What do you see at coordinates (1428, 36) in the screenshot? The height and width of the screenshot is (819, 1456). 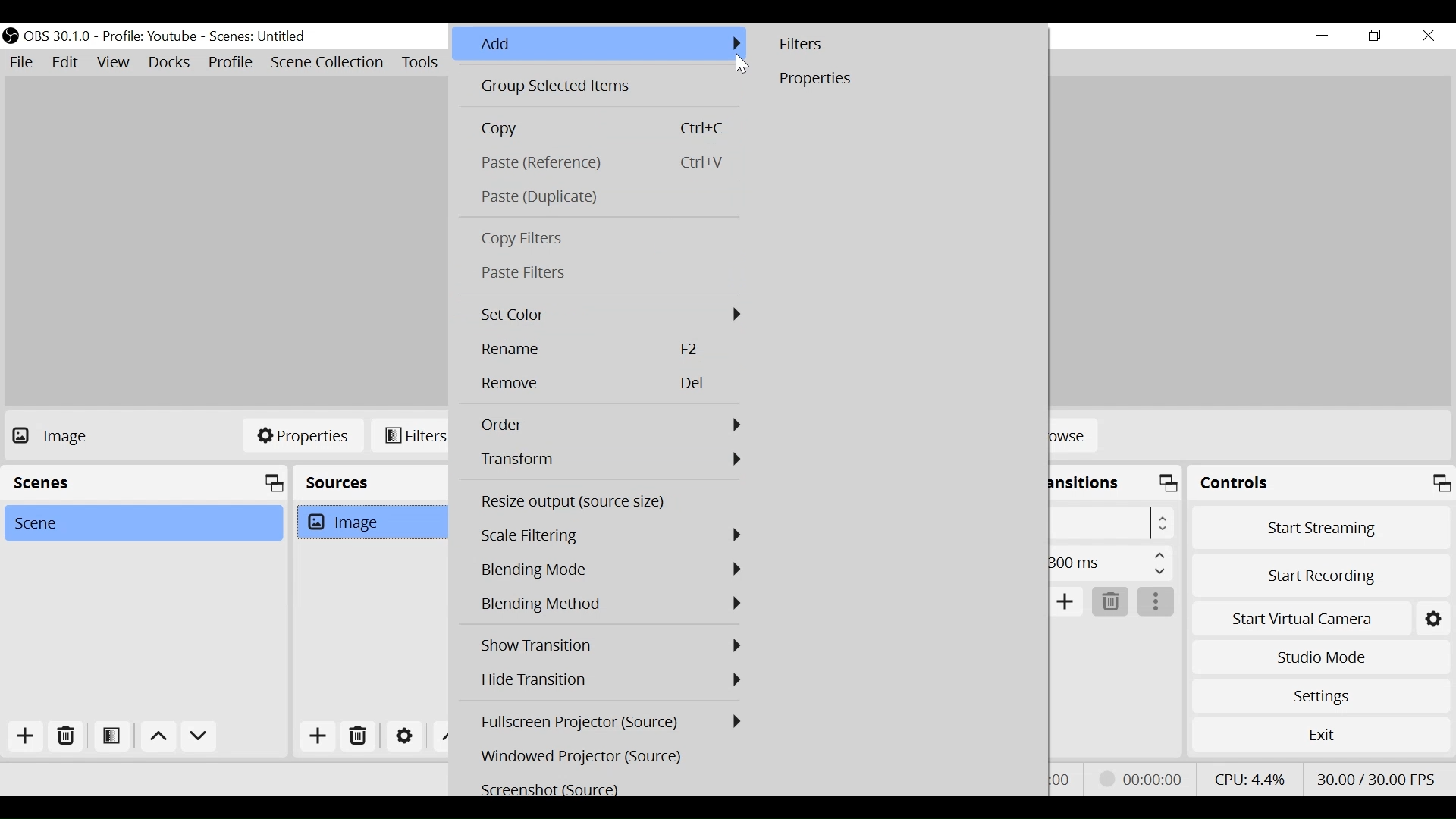 I see `Close` at bounding box center [1428, 36].